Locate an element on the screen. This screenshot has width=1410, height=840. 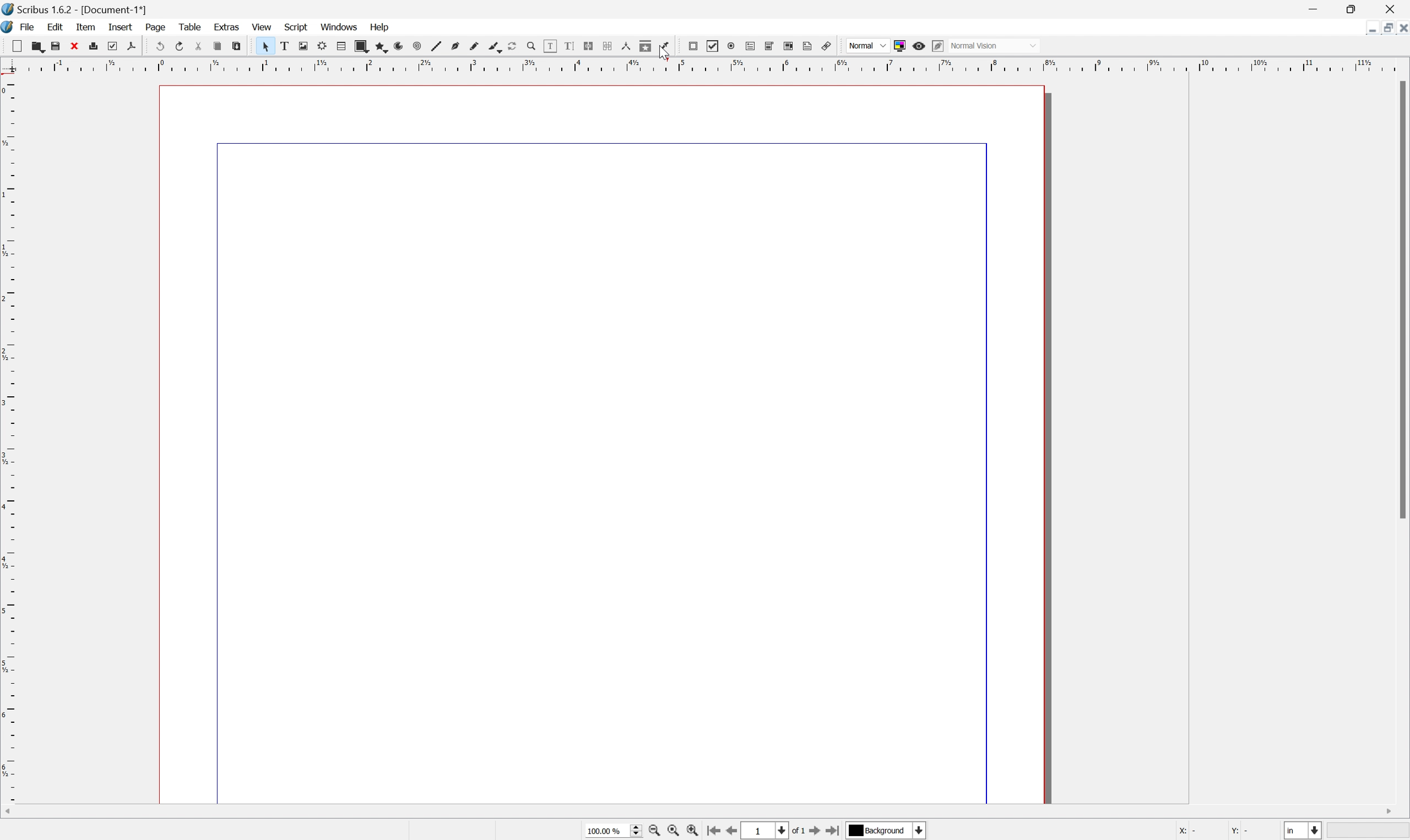
freehand line is located at coordinates (477, 45).